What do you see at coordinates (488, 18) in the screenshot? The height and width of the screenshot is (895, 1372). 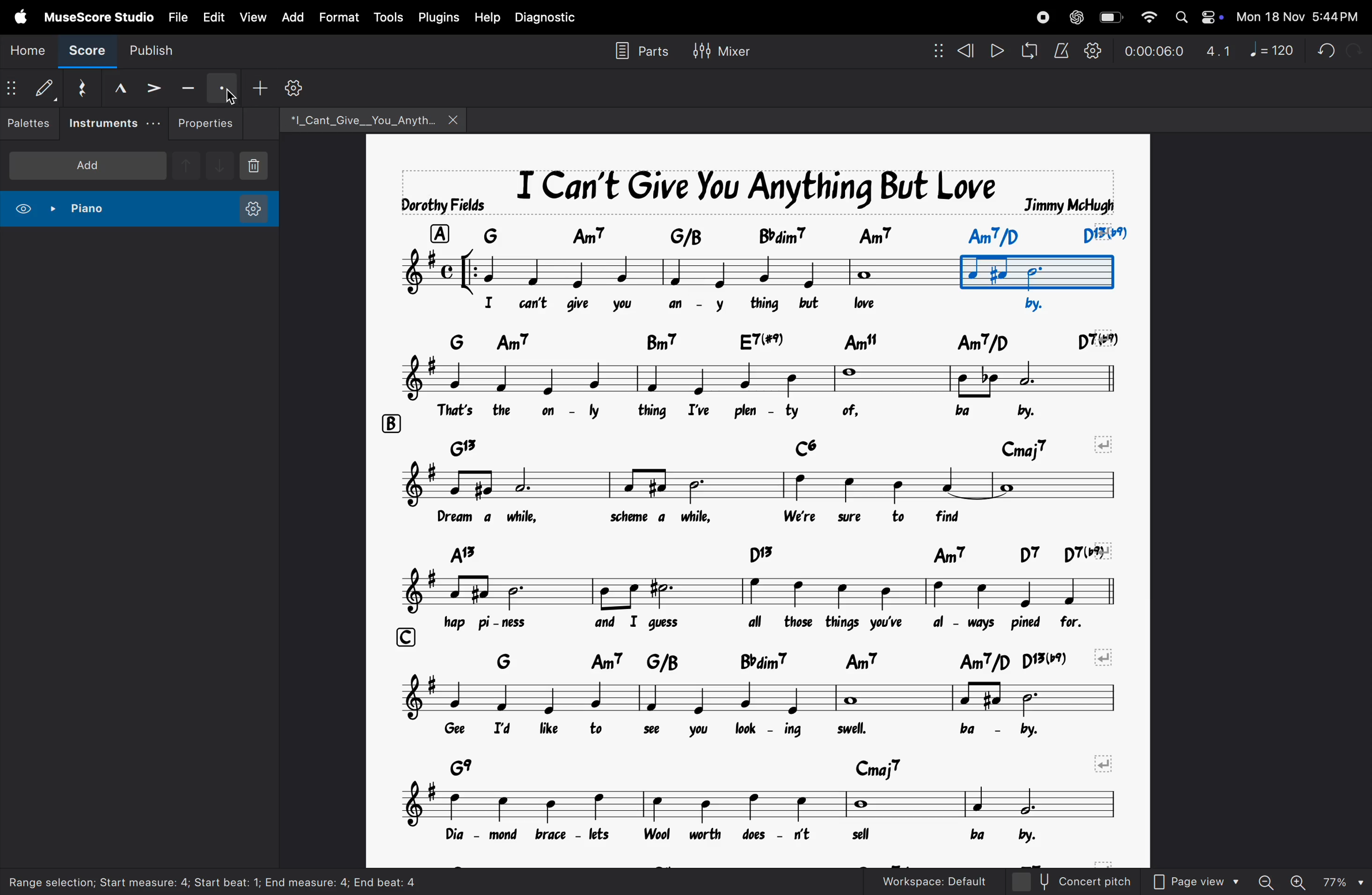 I see `help` at bounding box center [488, 18].